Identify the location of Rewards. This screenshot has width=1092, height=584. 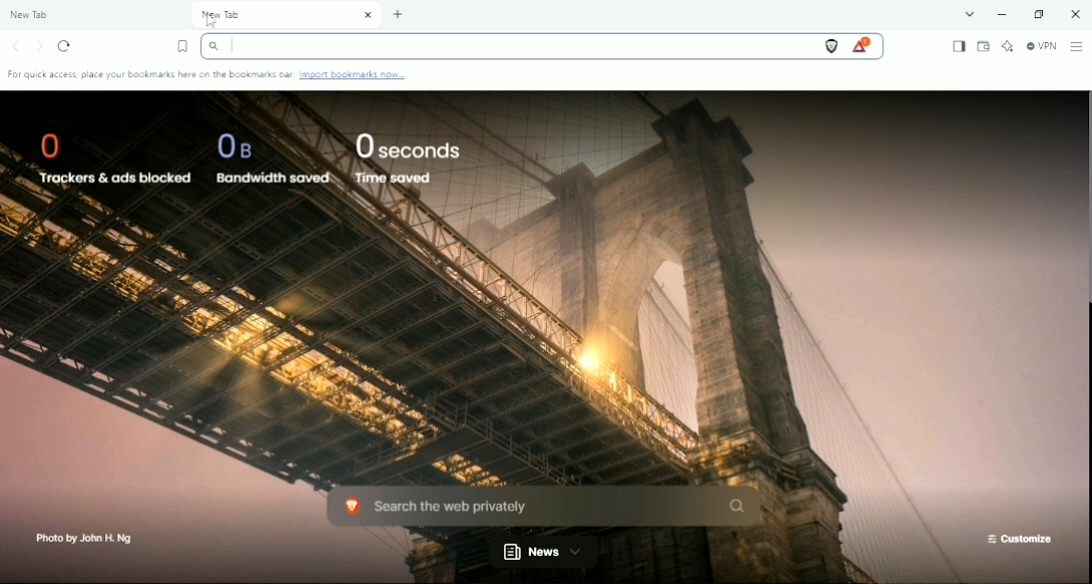
(863, 46).